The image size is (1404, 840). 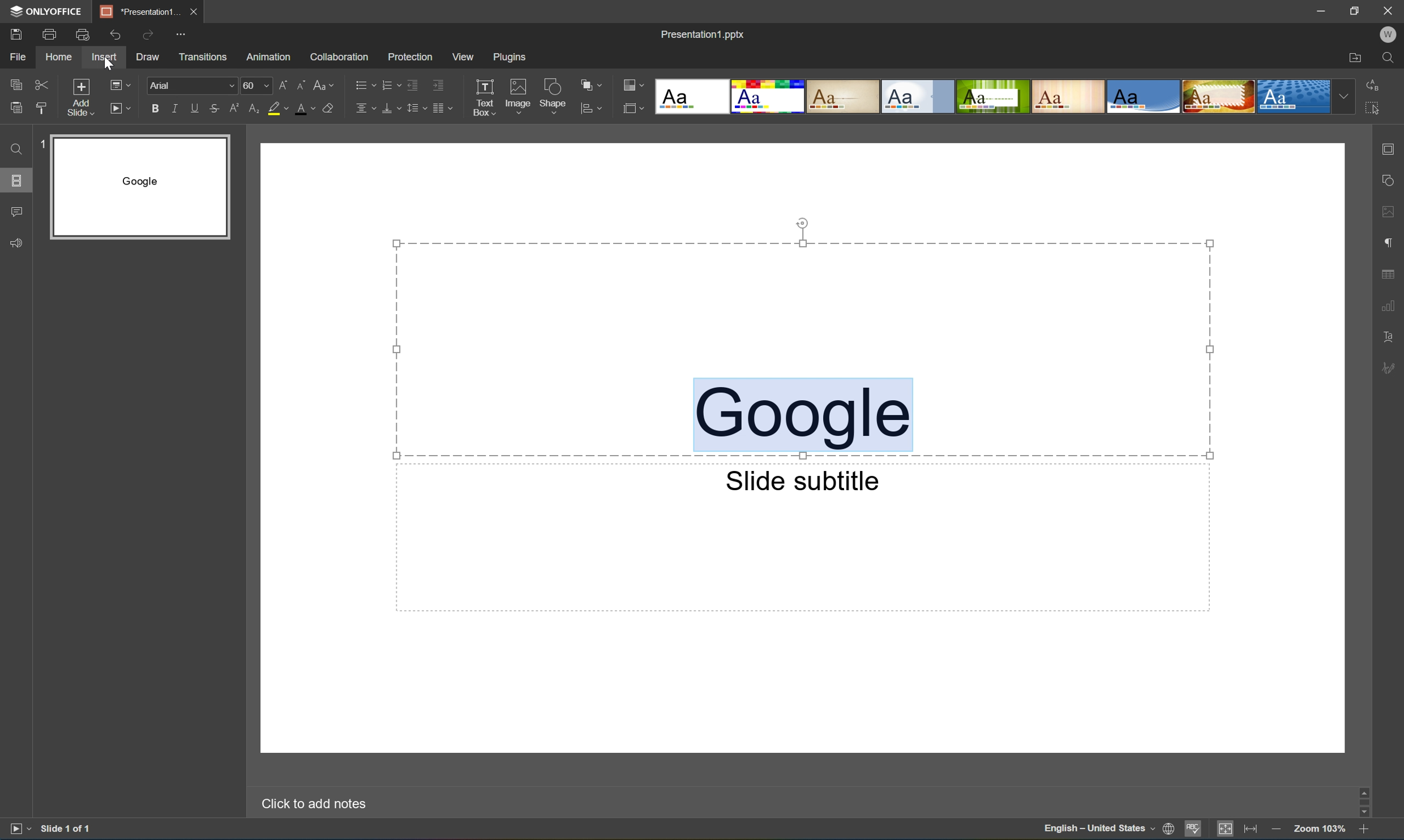 What do you see at coordinates (16, 832) in the screenshot?
I see `Start slideshow` at bounding box center [16, 832].